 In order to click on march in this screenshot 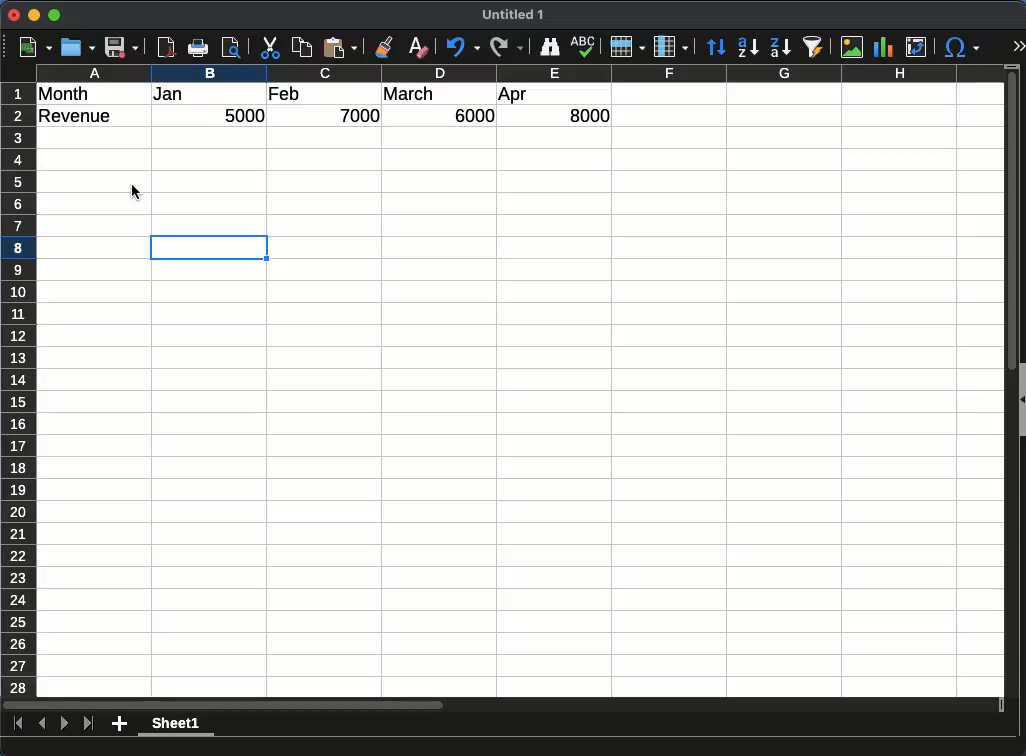, I will do `click(410, 93)`.